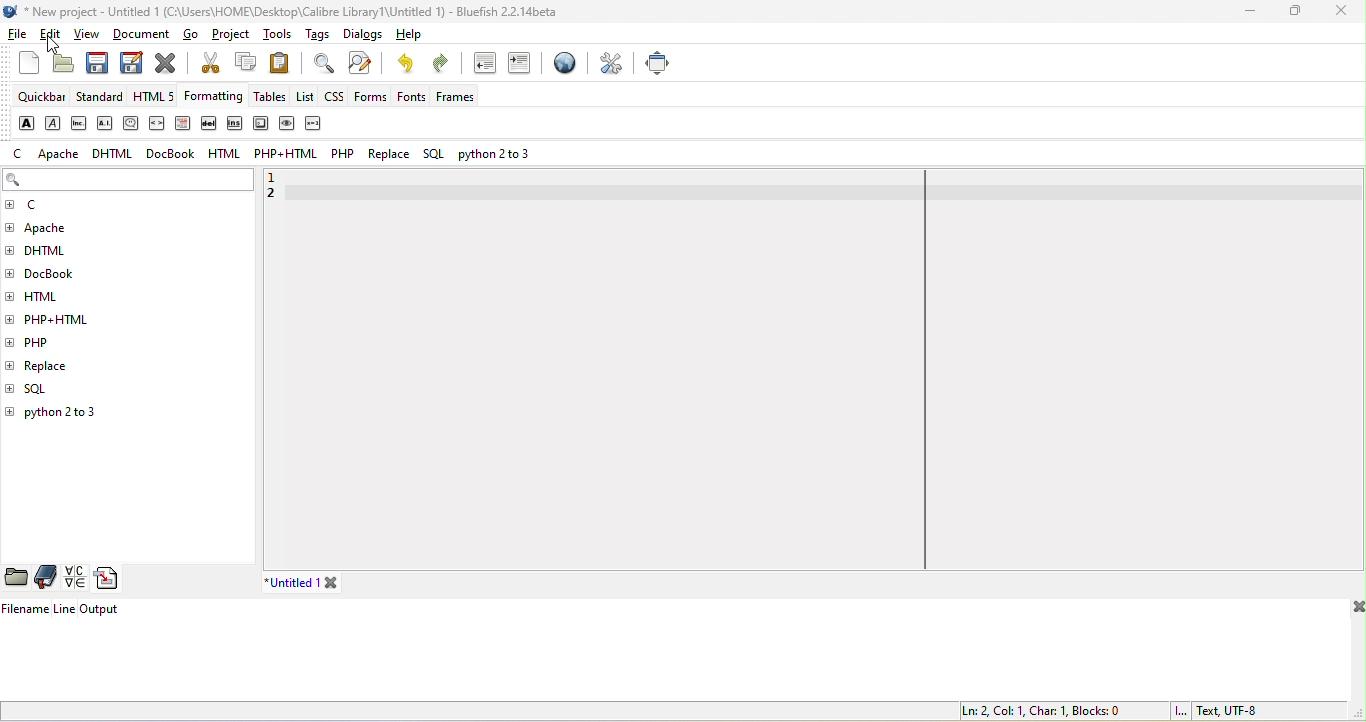  What do you see at coordinates (233, 125) in the screenshot?
I see `insert` at bounding box center [233, 125].